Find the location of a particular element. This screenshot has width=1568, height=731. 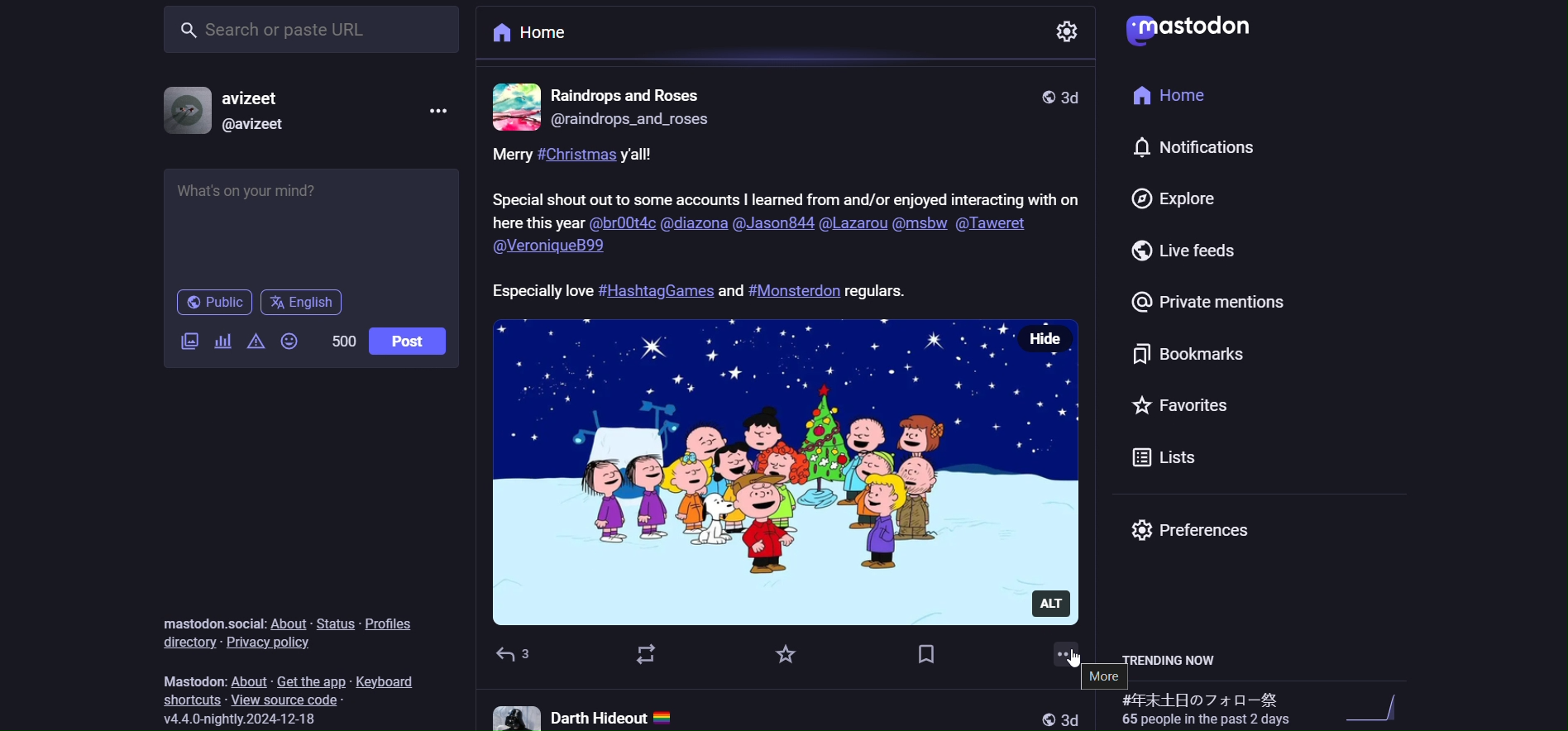

privacy policy is located at coordinates (271, 644).